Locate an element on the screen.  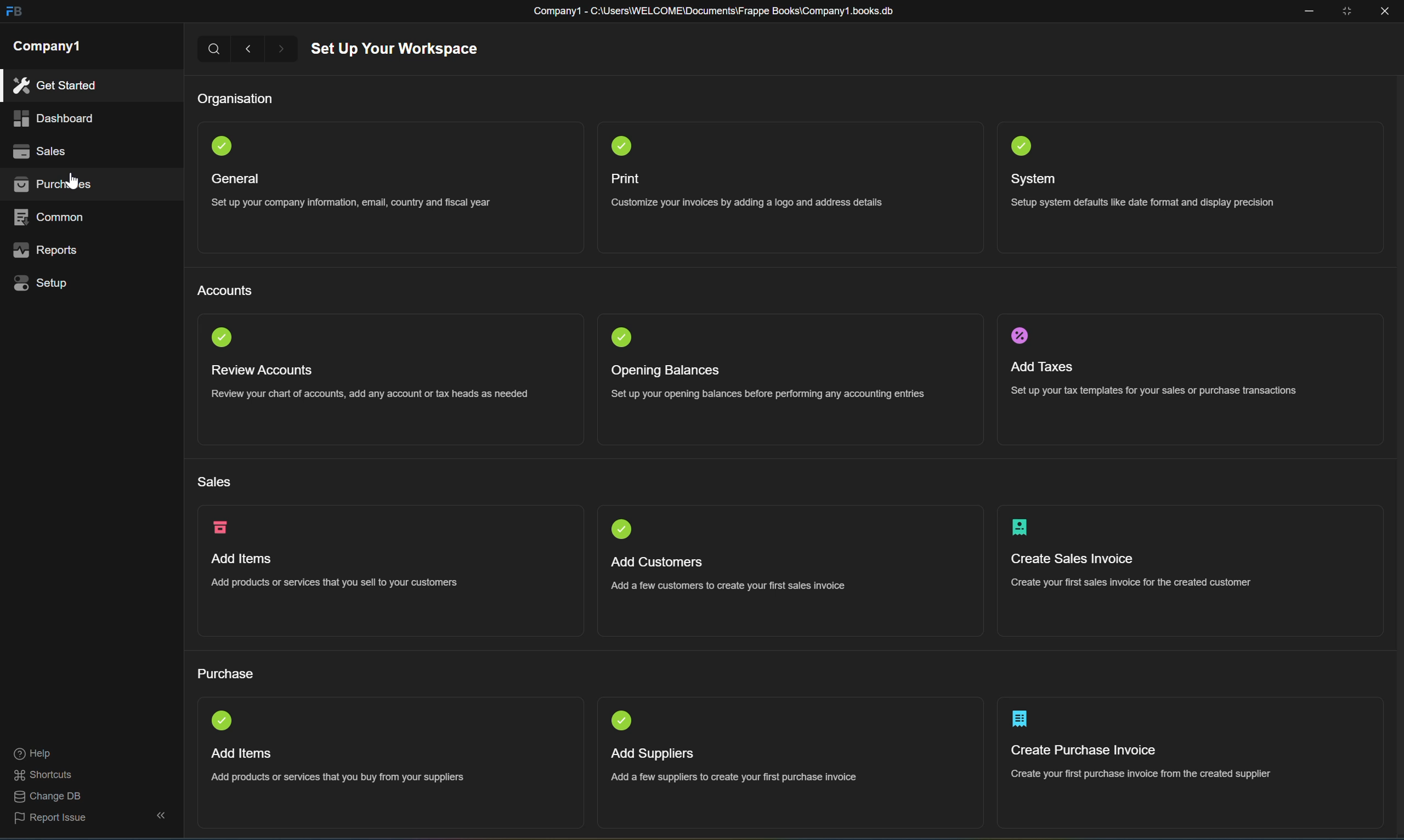
set up your company information, email, country and fiscal year is located at coordinates (347, 207).